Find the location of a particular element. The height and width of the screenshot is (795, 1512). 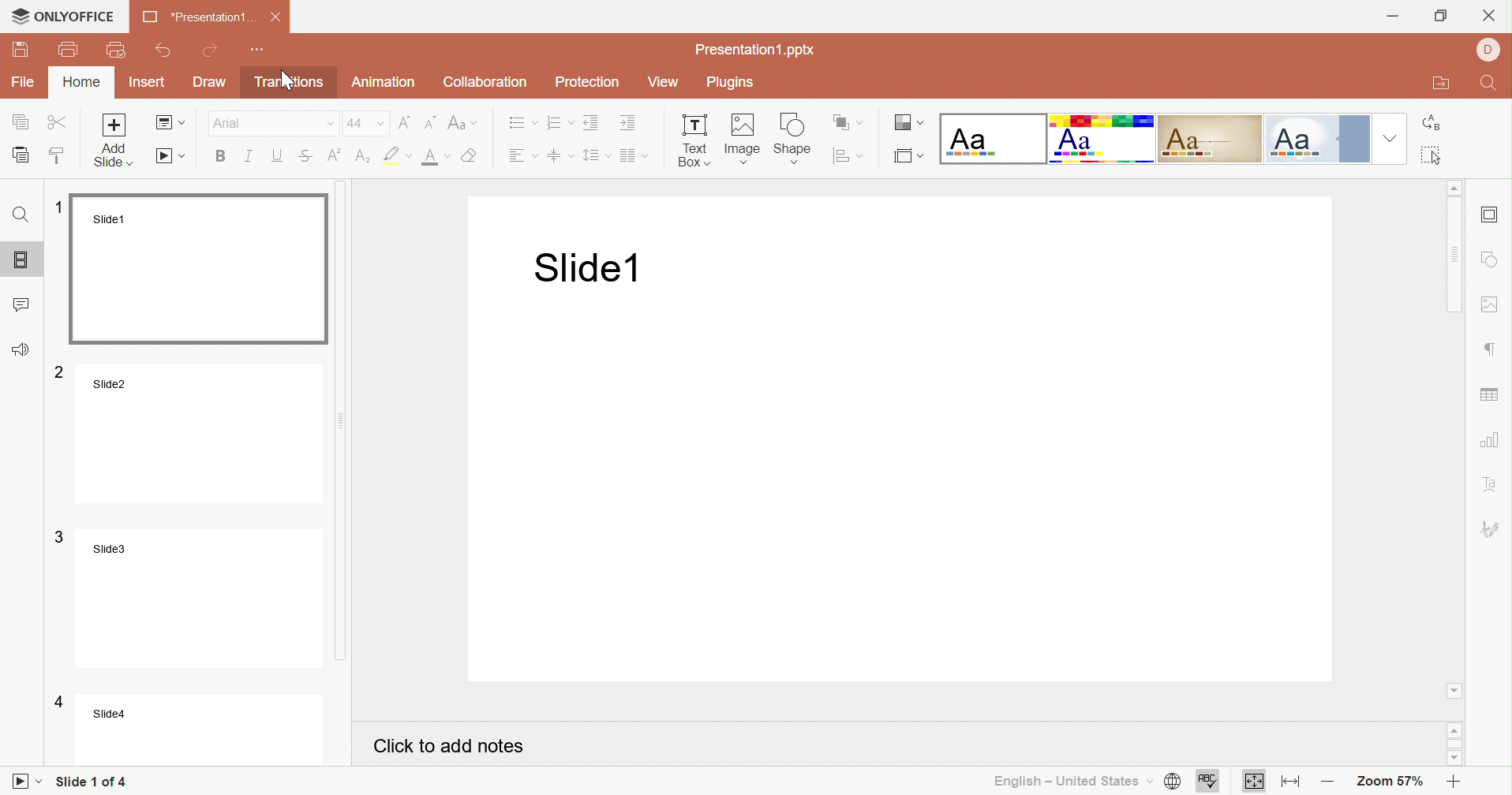

Align shape is located at coordinates (847, 155).